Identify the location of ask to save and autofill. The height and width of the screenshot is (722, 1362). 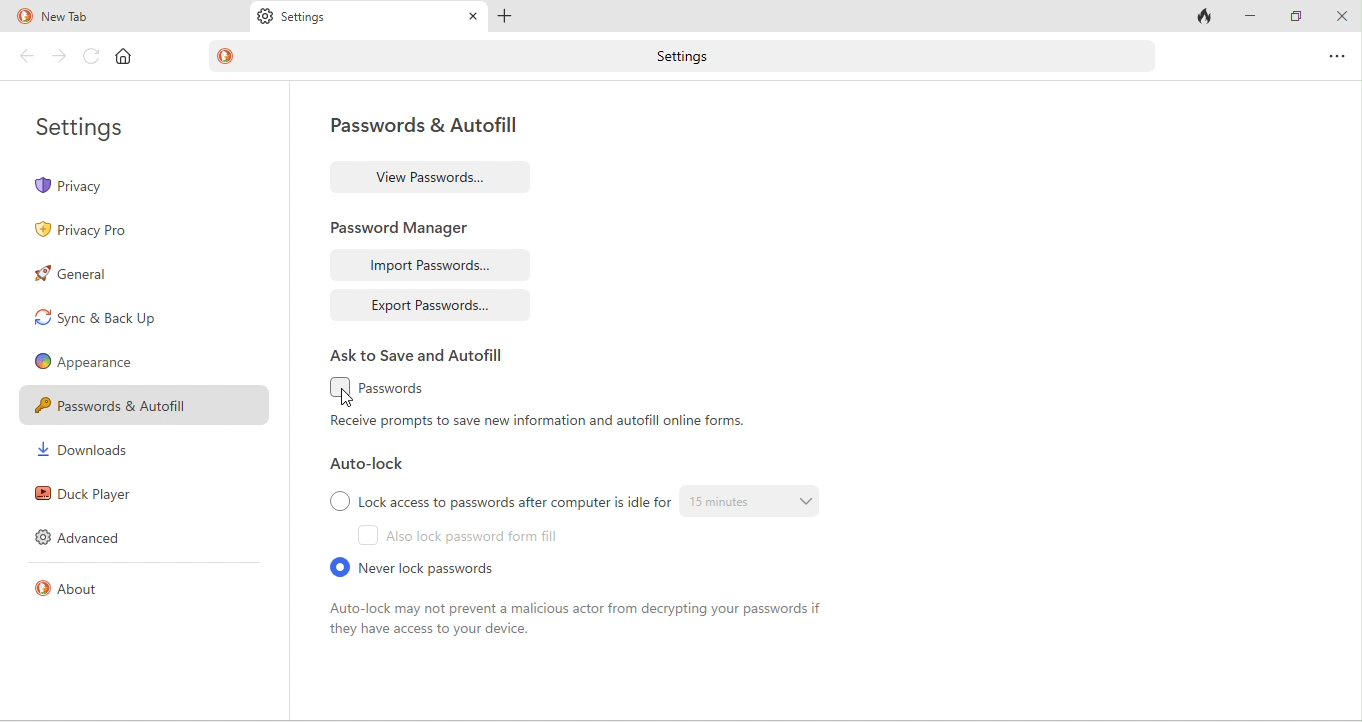
(419, 354).